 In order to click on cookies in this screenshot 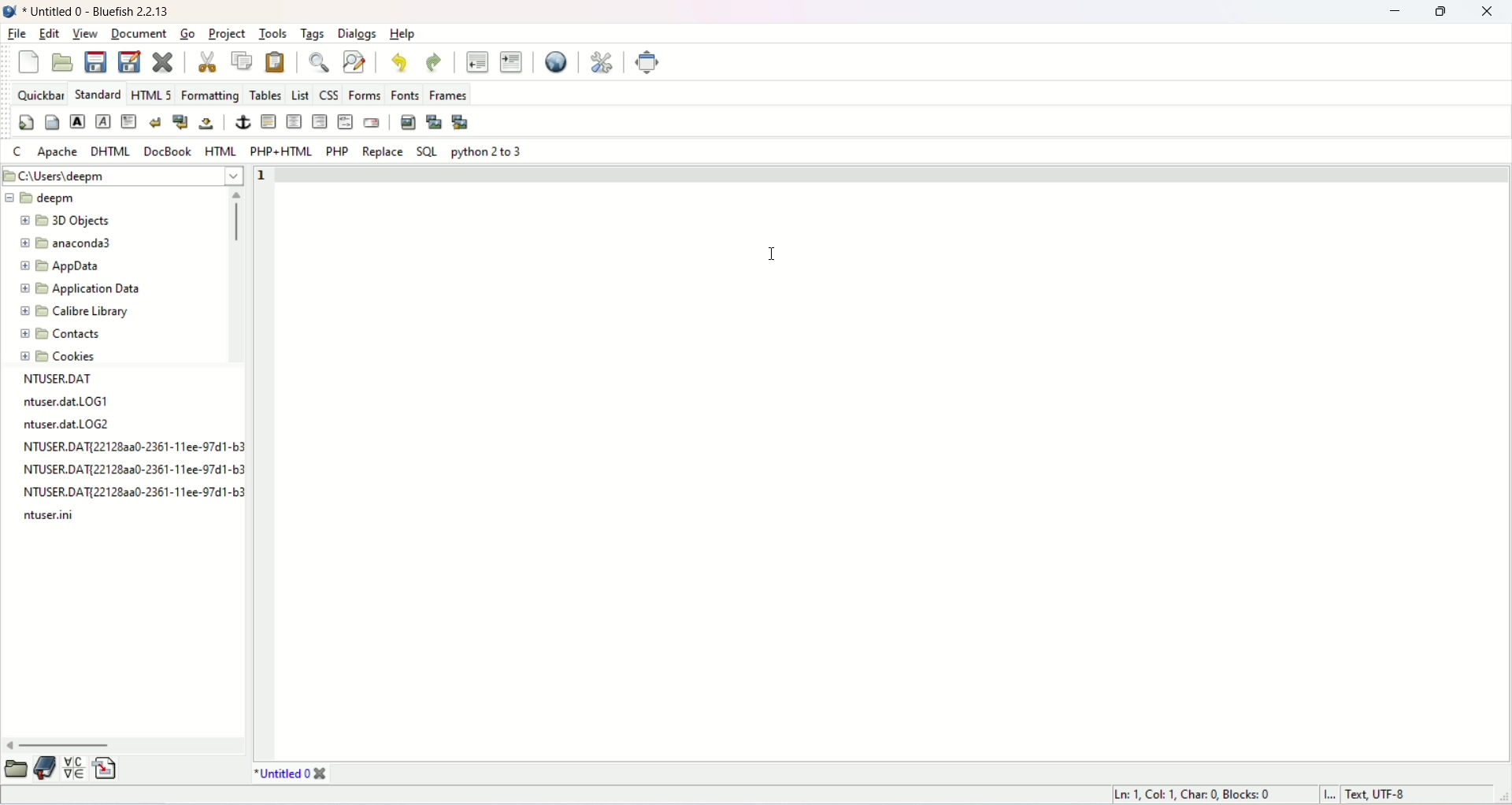, I will do `click(56, 358)`.